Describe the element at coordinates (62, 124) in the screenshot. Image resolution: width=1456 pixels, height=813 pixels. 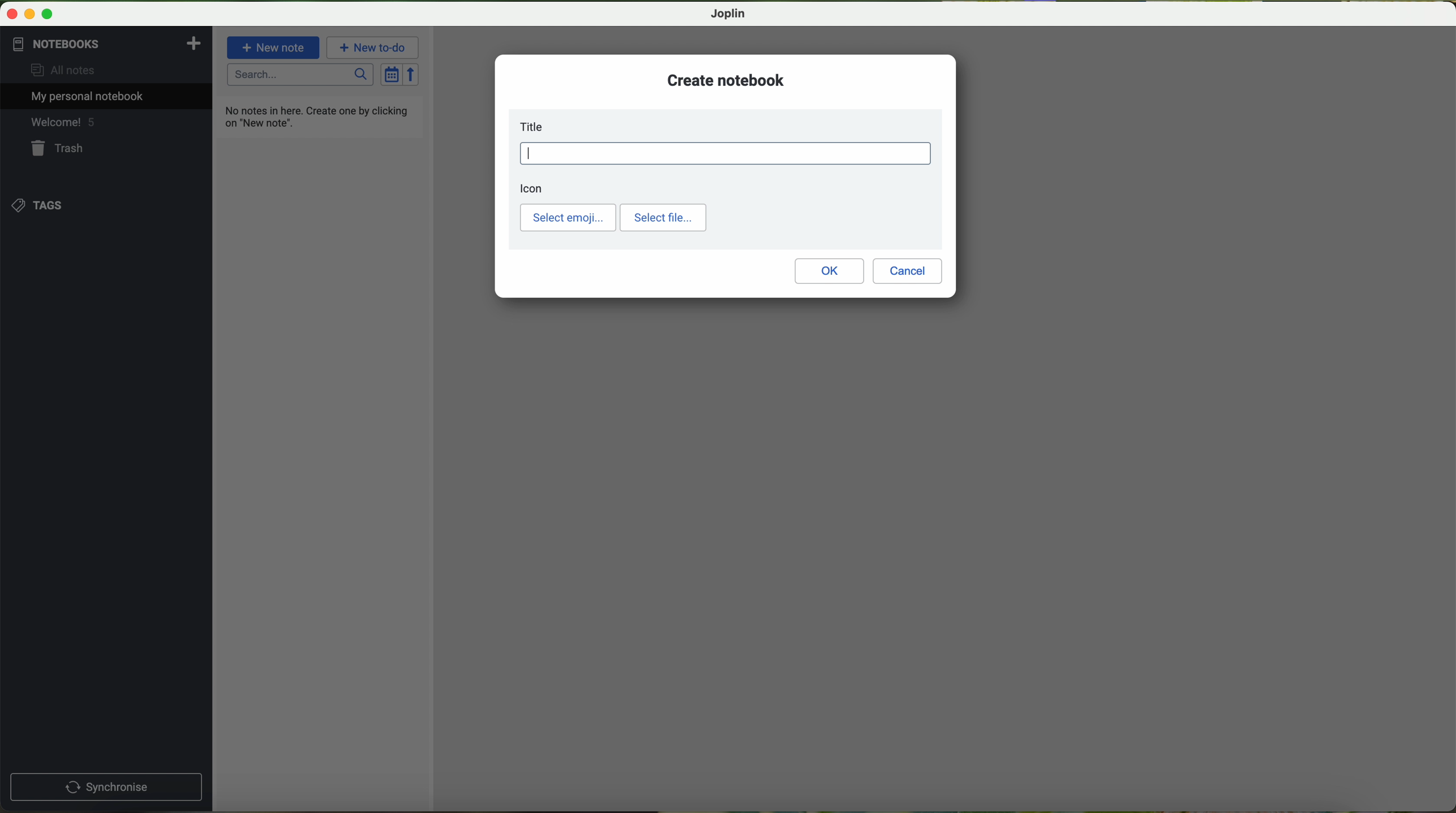
I see `welcome! 5` at that location.